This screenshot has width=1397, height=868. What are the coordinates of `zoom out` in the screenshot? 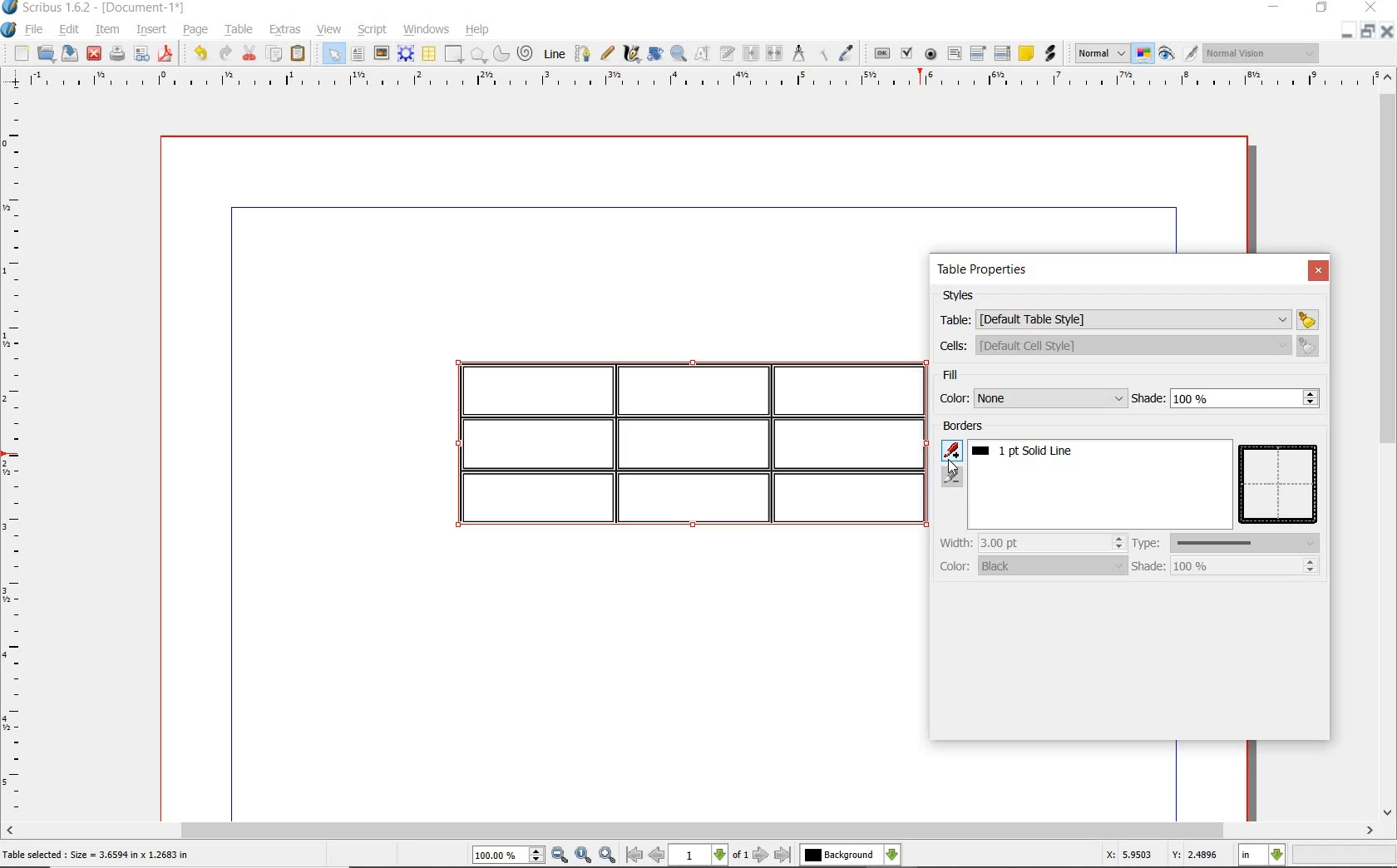 It's located at (560, 856).